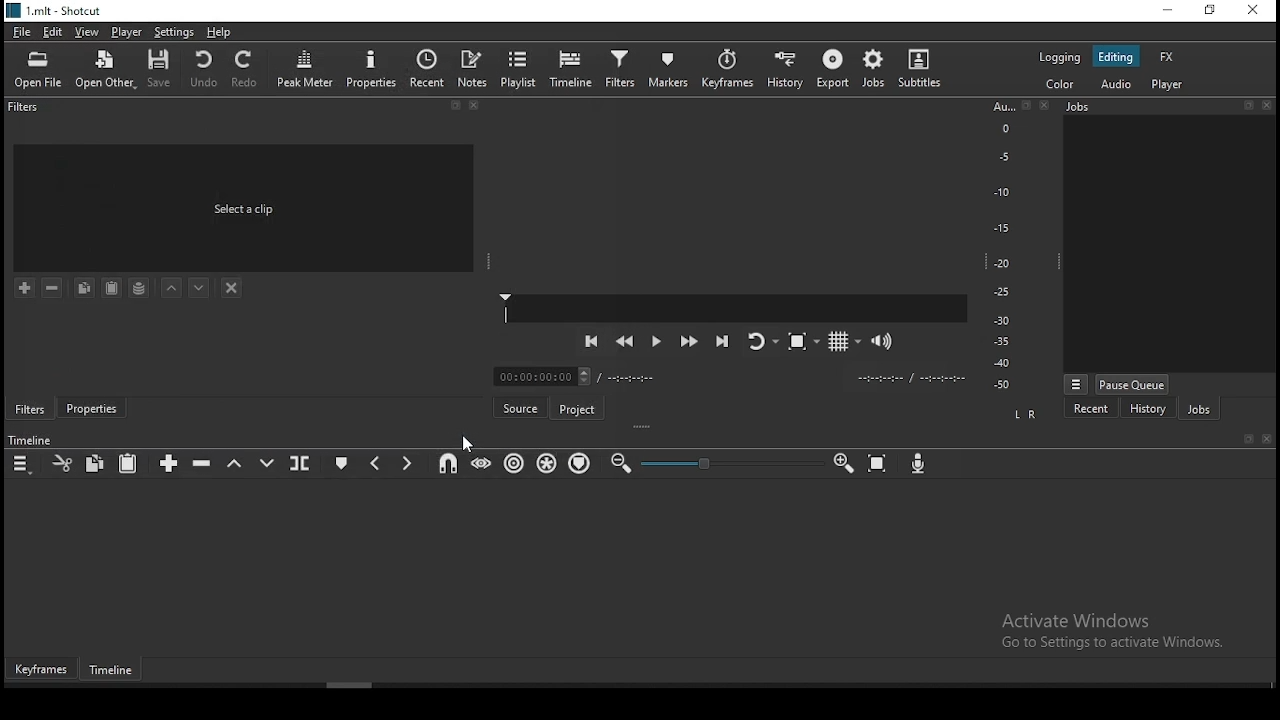  I want to click on scrub while dragging, so click(479, 465).